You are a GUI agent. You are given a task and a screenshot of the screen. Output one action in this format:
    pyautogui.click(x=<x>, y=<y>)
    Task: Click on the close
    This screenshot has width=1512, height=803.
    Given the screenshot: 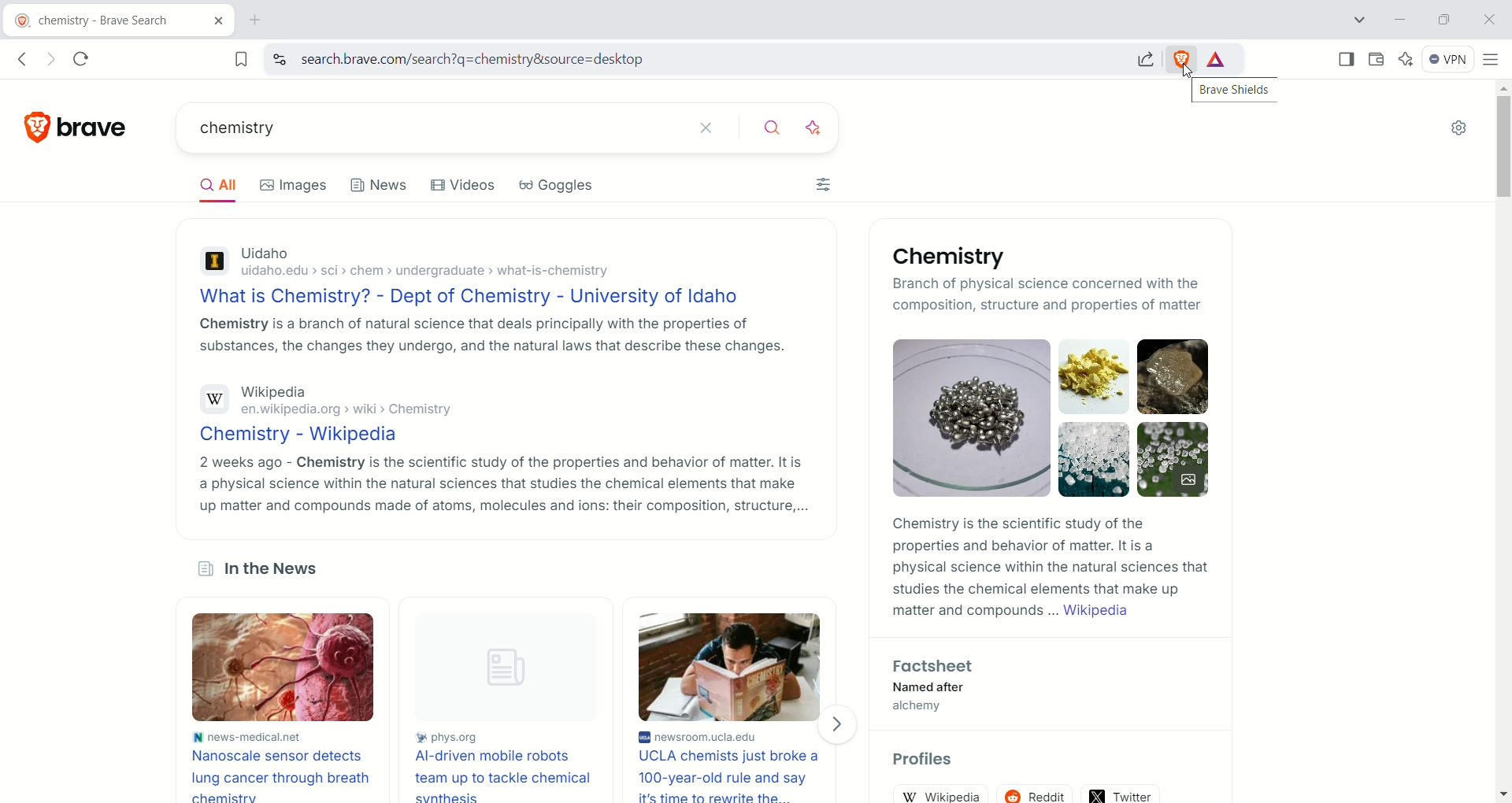 What is the action you would take?
    pyautogui.click(x=1491, y=20)
    